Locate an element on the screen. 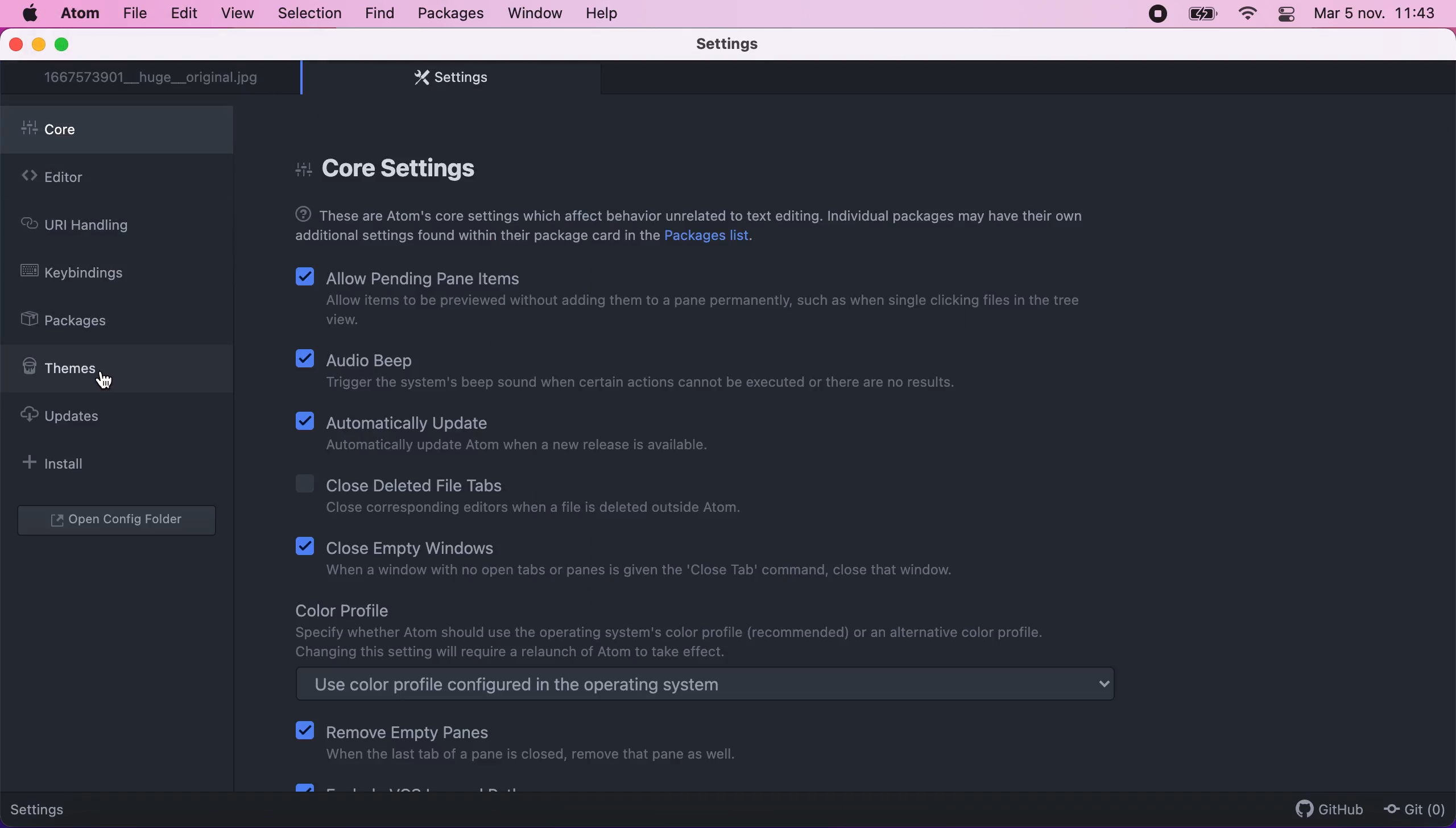 Image resolution: width=1456 pixels, height=828 pixels. updates is located at coordinates (97, 421).